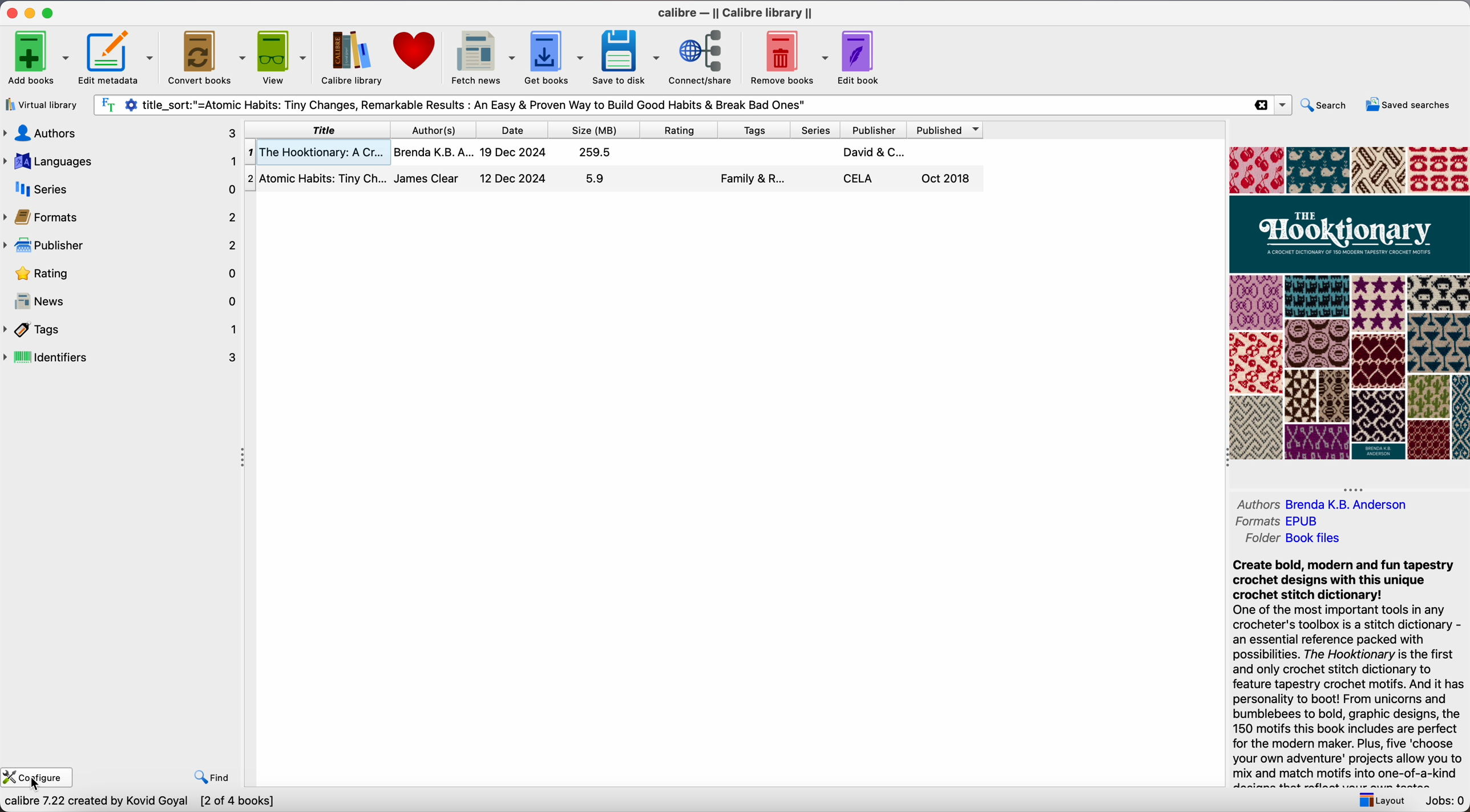 The width and height of the screenshot is (1470, 812). Describe the element at coordinates (36, 779) in the screenshot. I see `click on configure` at that location.